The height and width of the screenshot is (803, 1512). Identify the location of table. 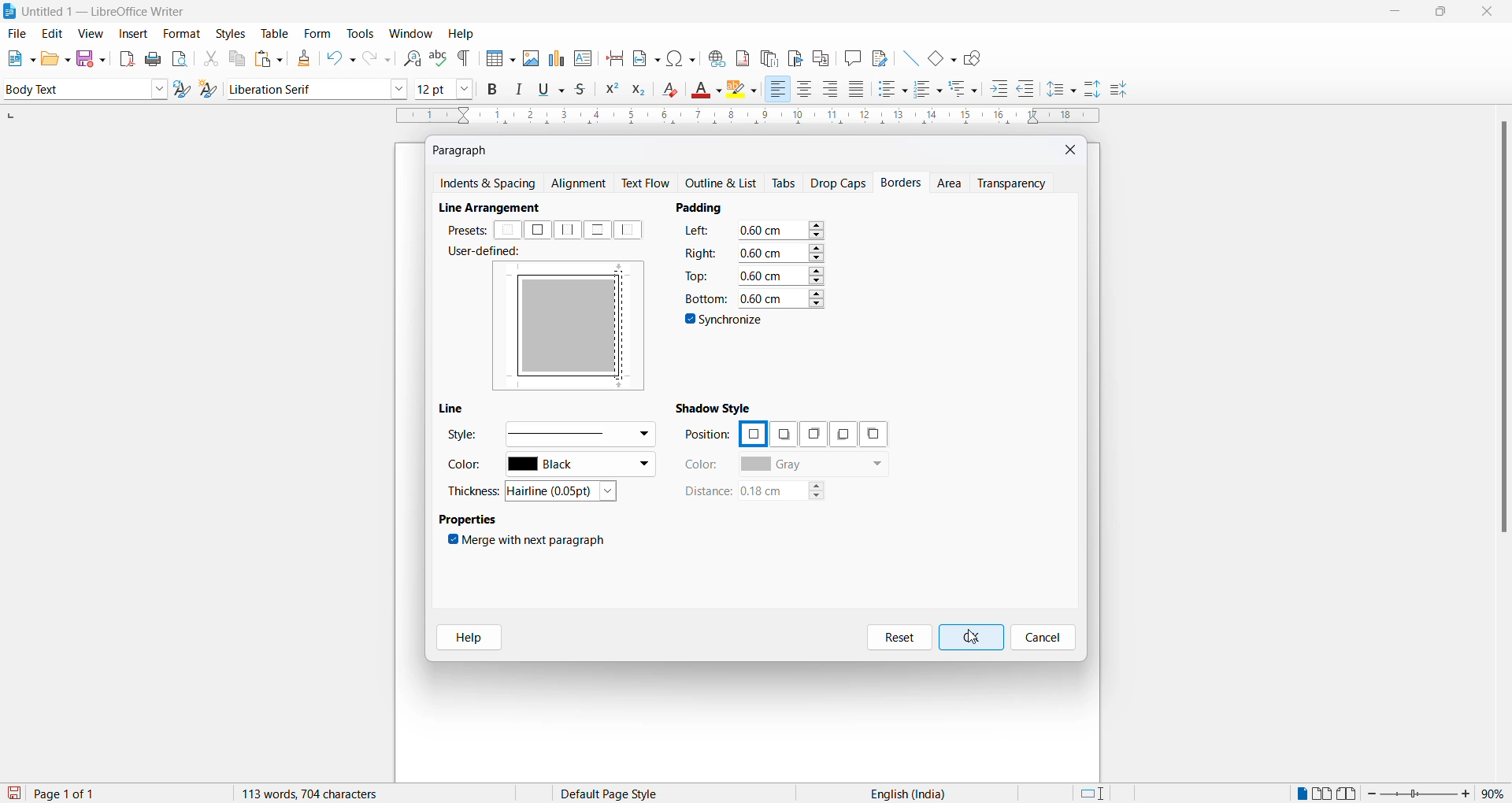
(275, 33).